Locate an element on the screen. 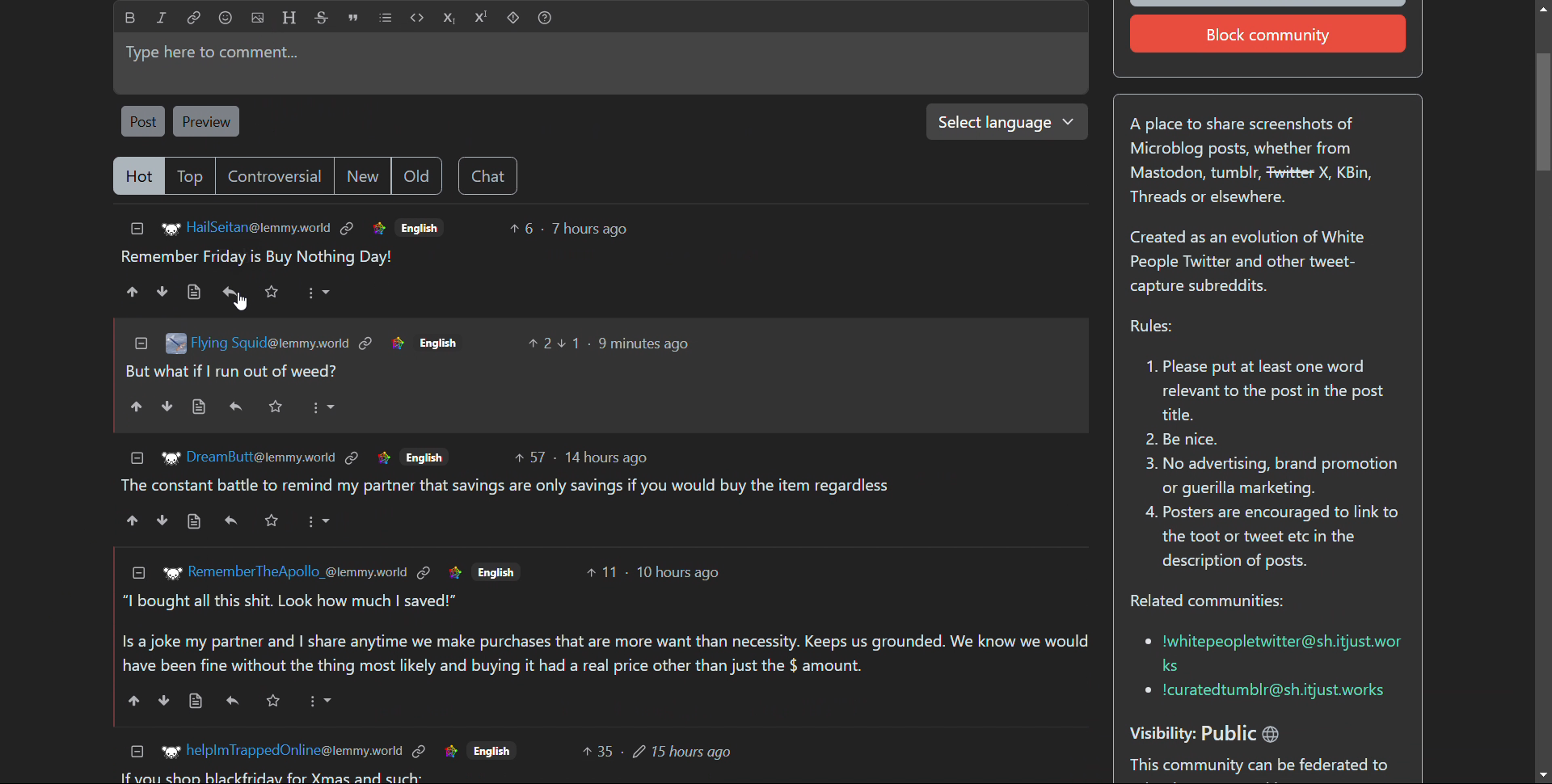 This screenshot has width=1552, height=784. scroll up is located at coordinates (1542, 7).